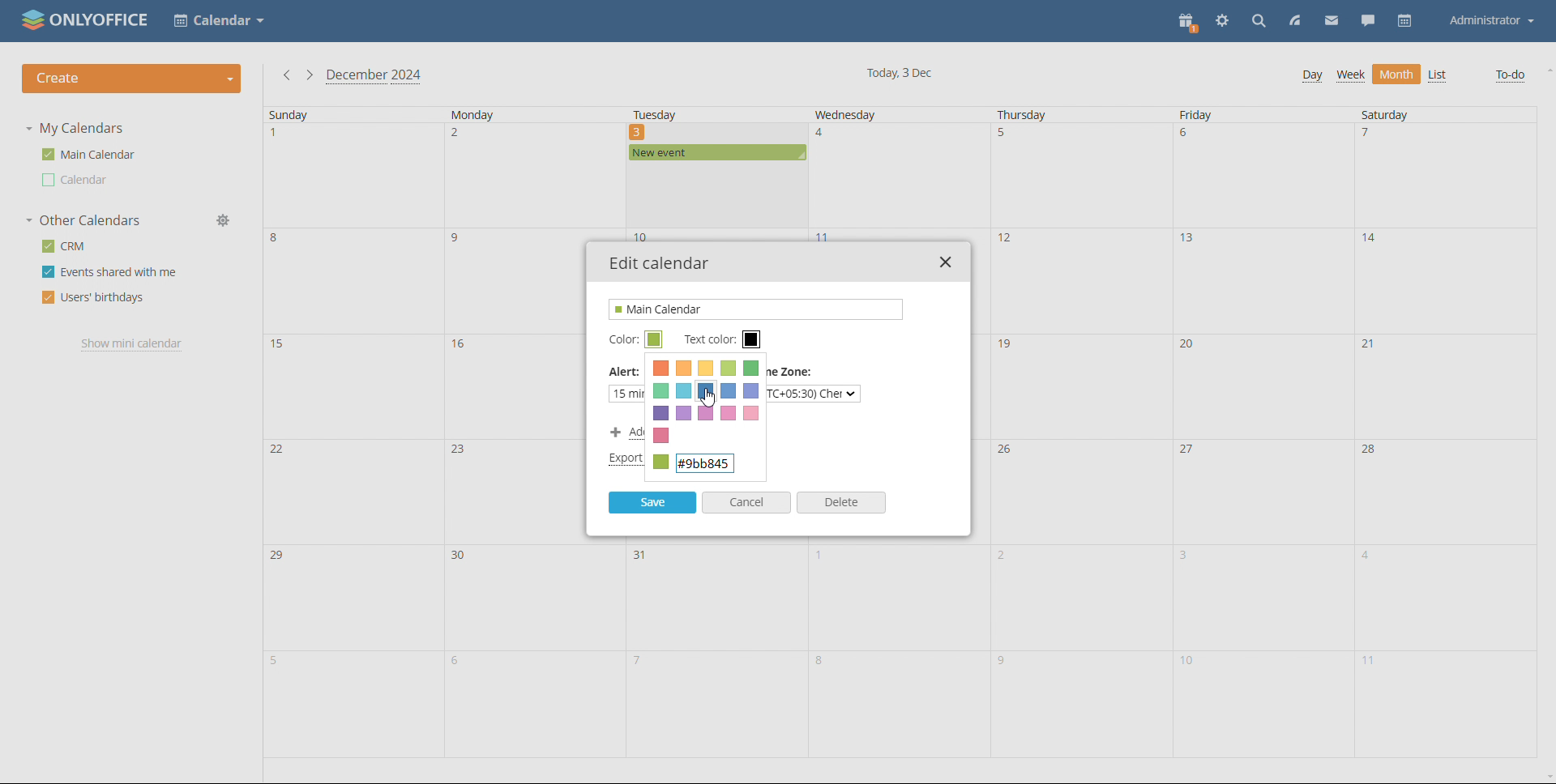 Image resolution: width=1556 pixels, height=784 pixels. What do you see at coordinates (1332, 22) in the screenshot?
I see `mail` at bounding box center [1332, 22].